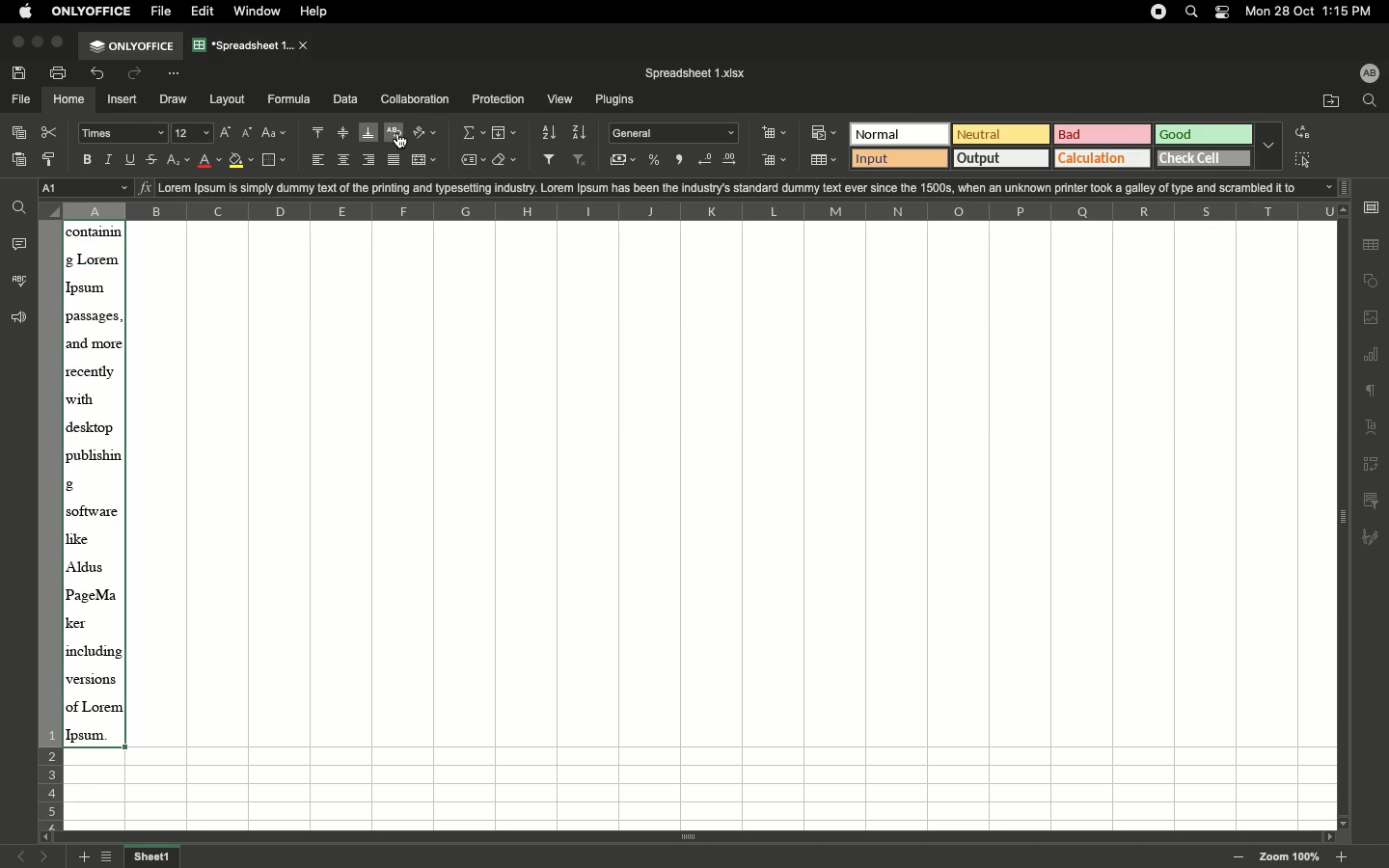  Describe the element at coordinates (1371, 392) in the screenshot. I see `paragraph settings` at that location.